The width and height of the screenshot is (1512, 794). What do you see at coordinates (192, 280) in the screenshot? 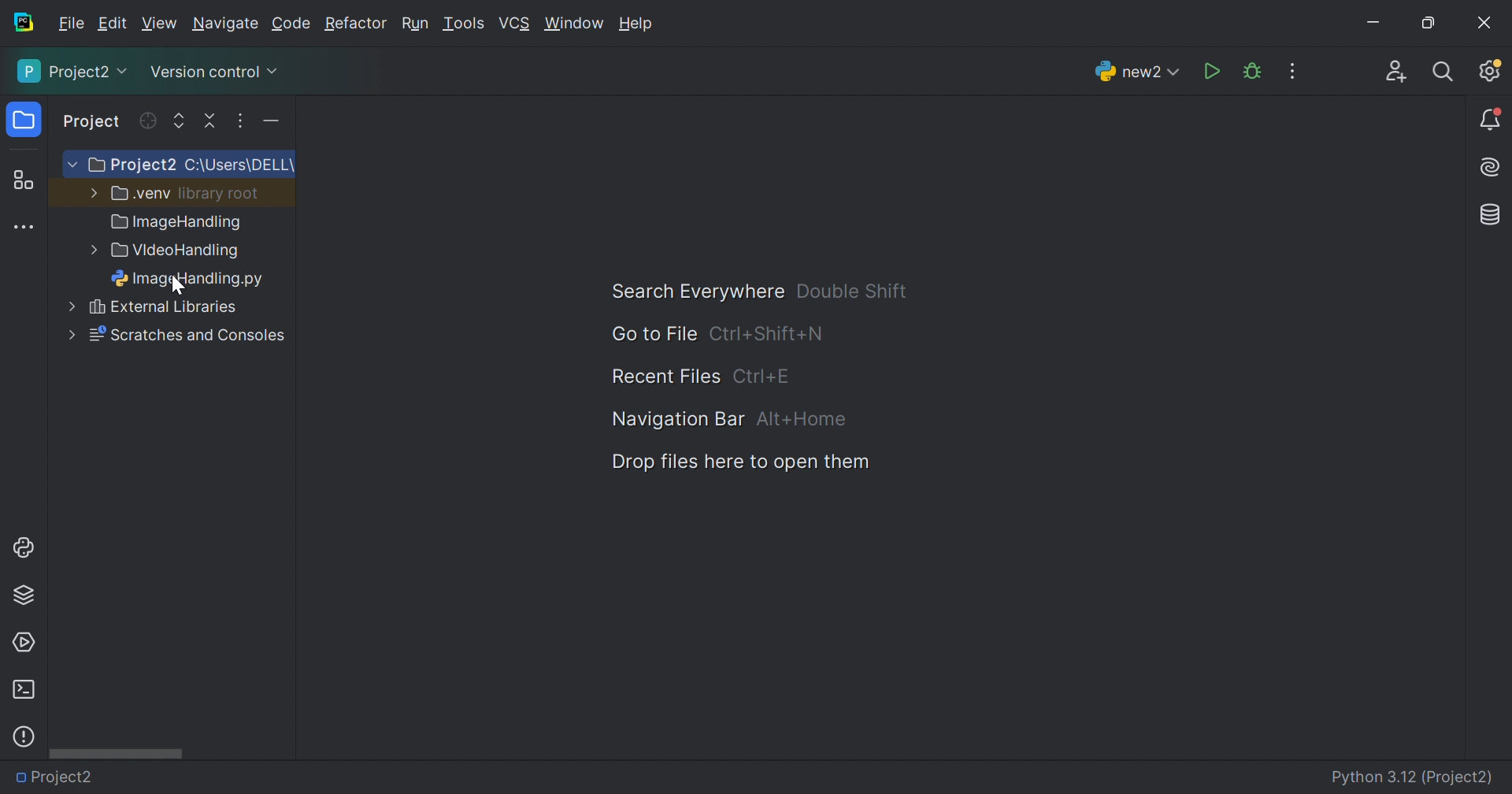
I see `ImageHandling` at bounding box center [192, 280].